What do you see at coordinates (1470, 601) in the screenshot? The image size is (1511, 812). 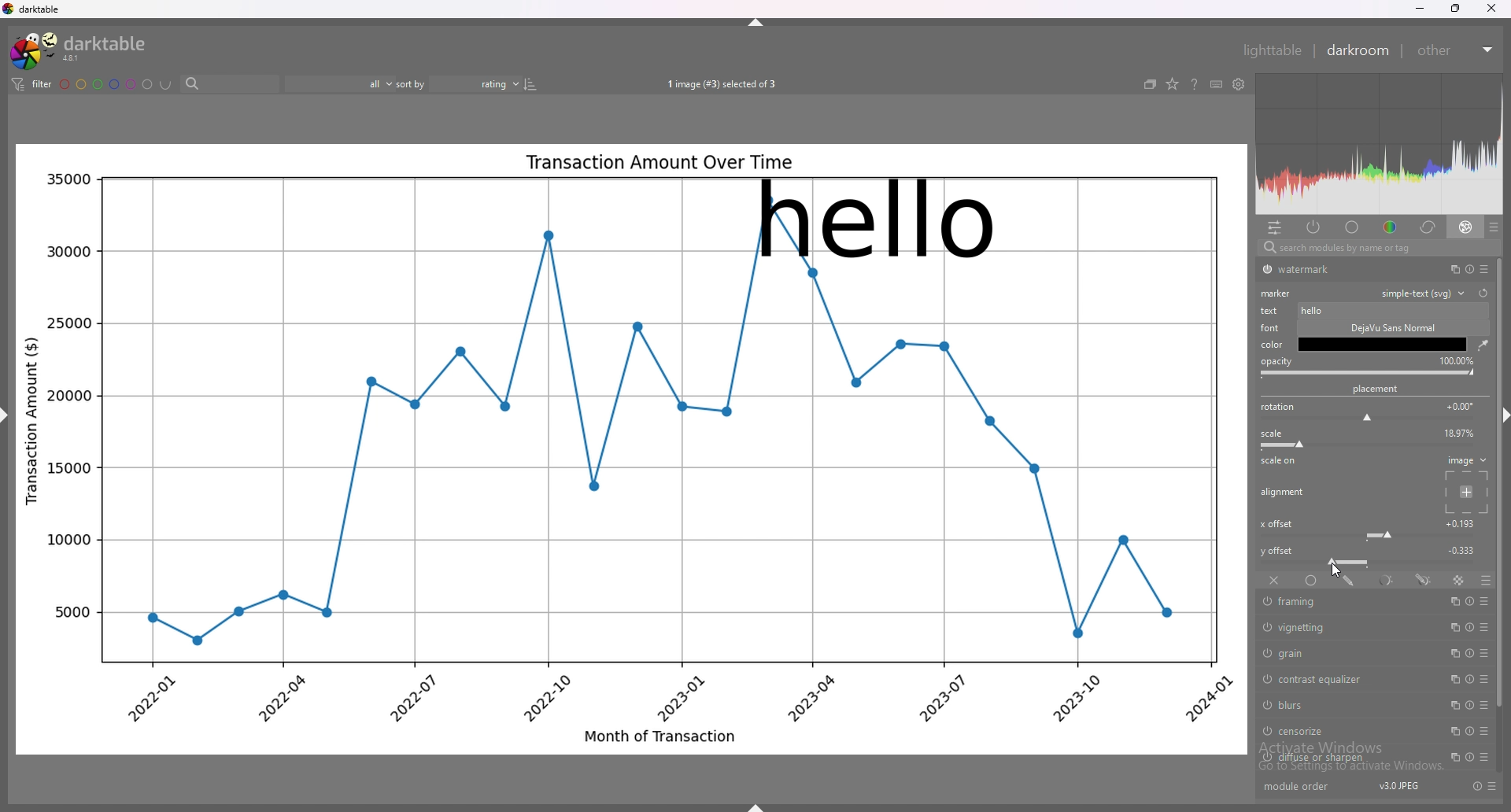 I see `reset` at bounding box center [1470, 601].